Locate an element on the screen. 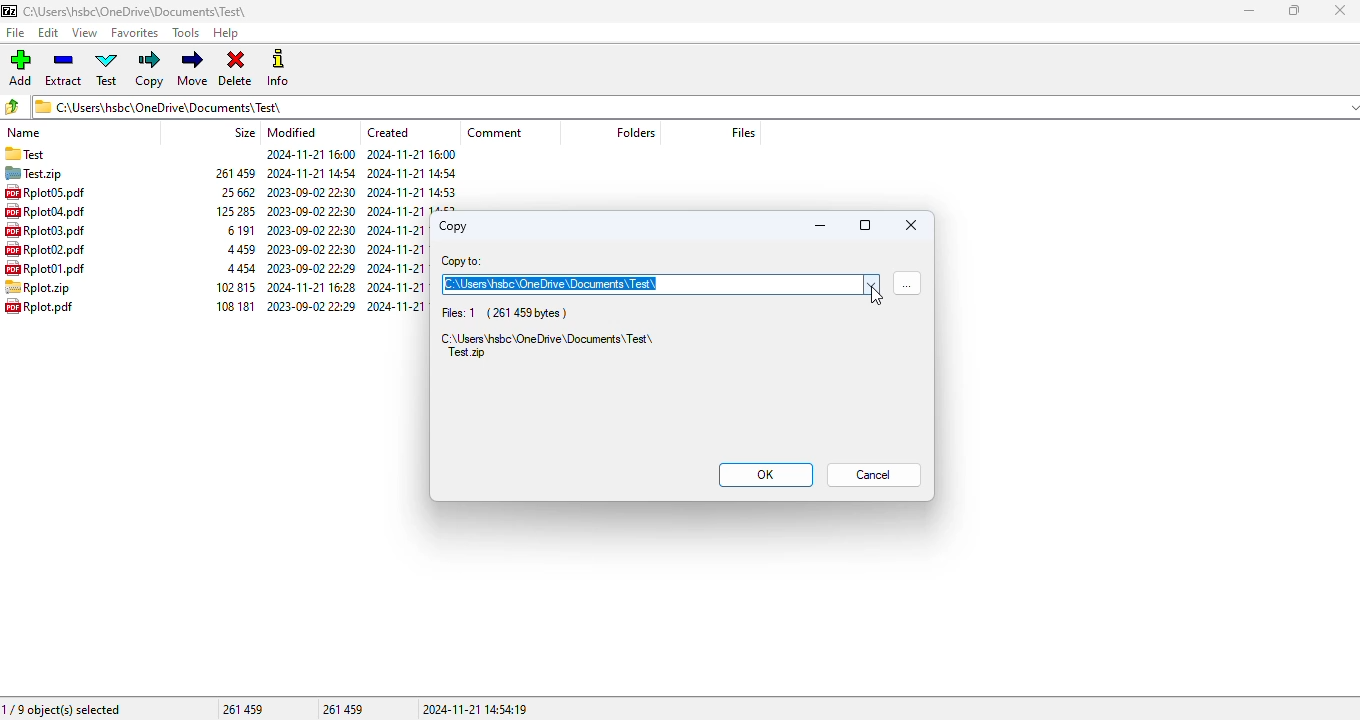 This screenshot has width=1360, height=720. comment is located at coordinates (495, 133).